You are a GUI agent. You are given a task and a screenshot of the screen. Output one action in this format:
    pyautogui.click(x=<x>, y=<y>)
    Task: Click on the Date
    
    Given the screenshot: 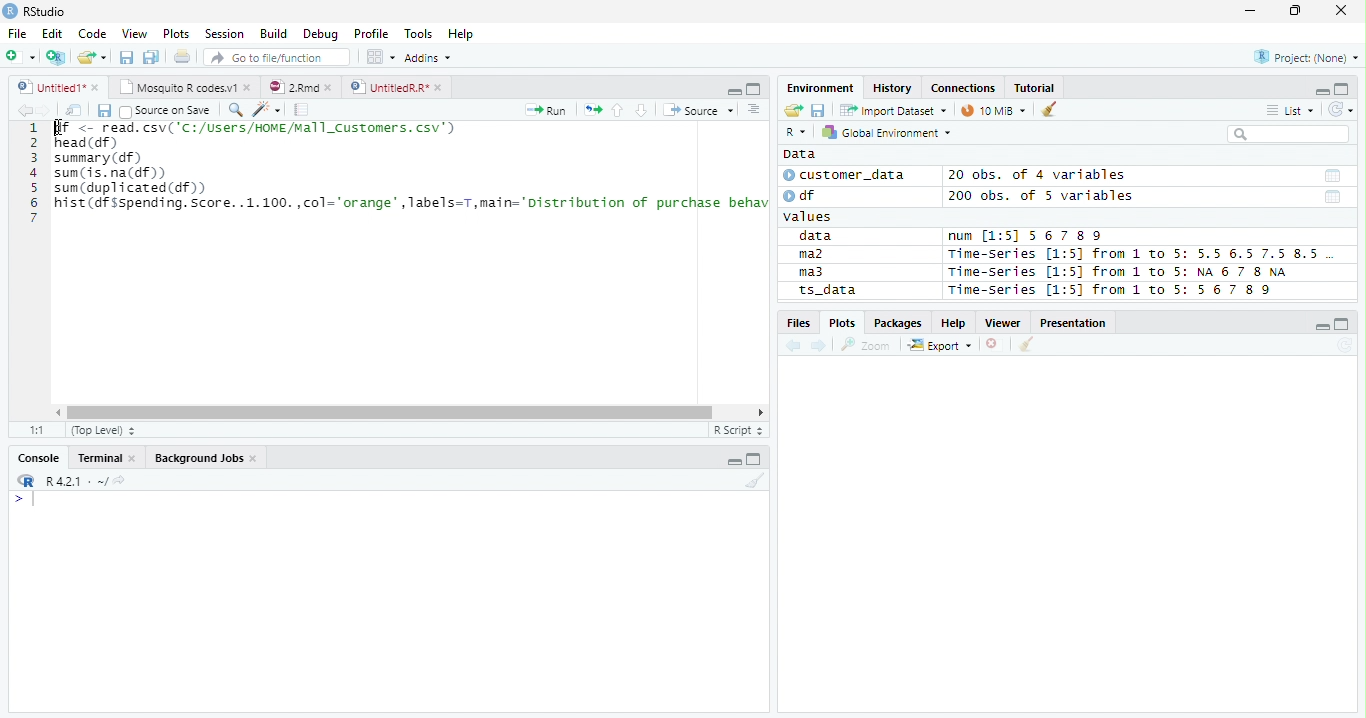 What is the action you would take?
    pyautogui.click(x=1333, y=198)
    